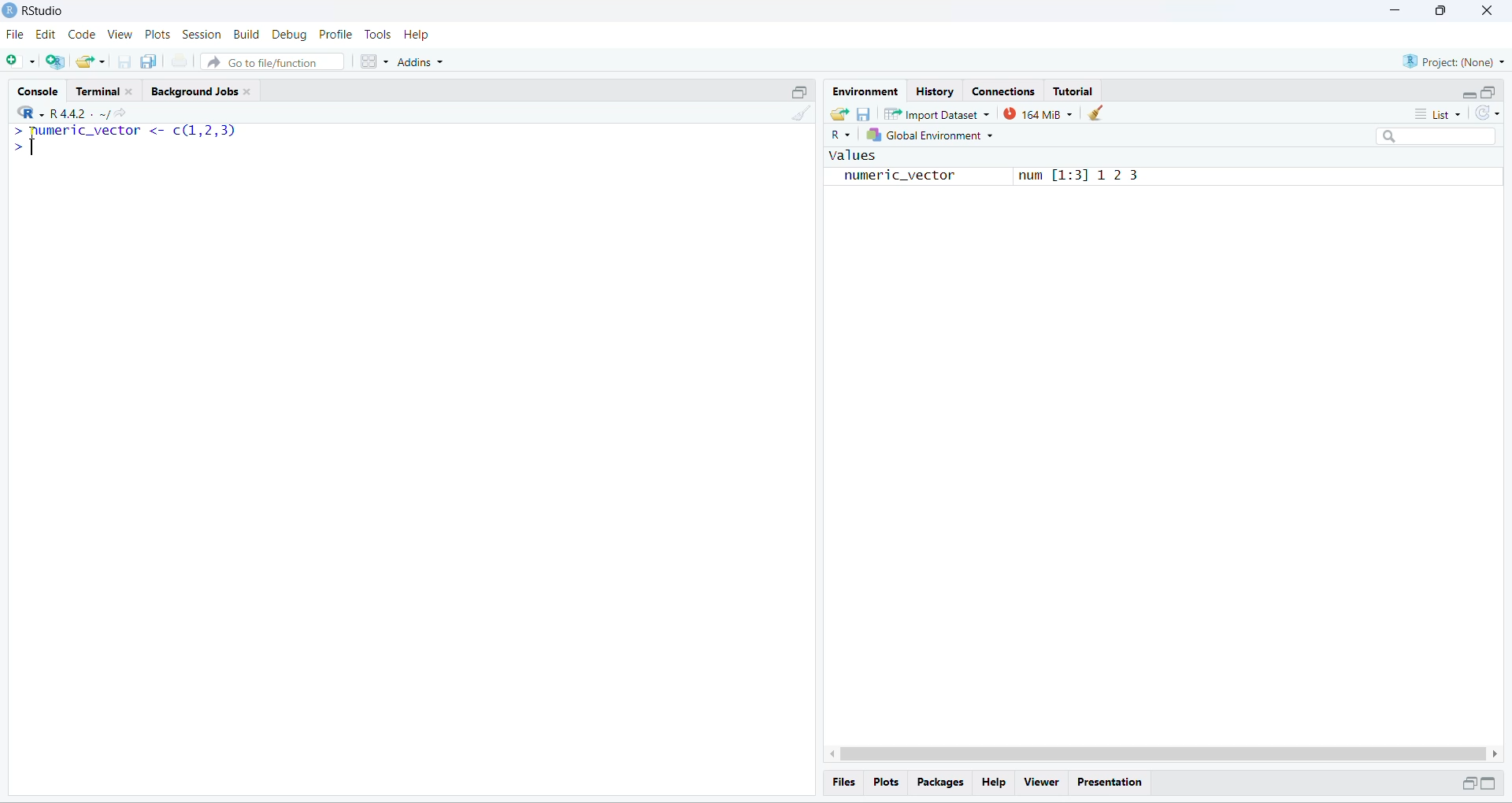  Describe the element at coordinates (936, 114) in the screenshot. I see `Import Dataset` at that location.